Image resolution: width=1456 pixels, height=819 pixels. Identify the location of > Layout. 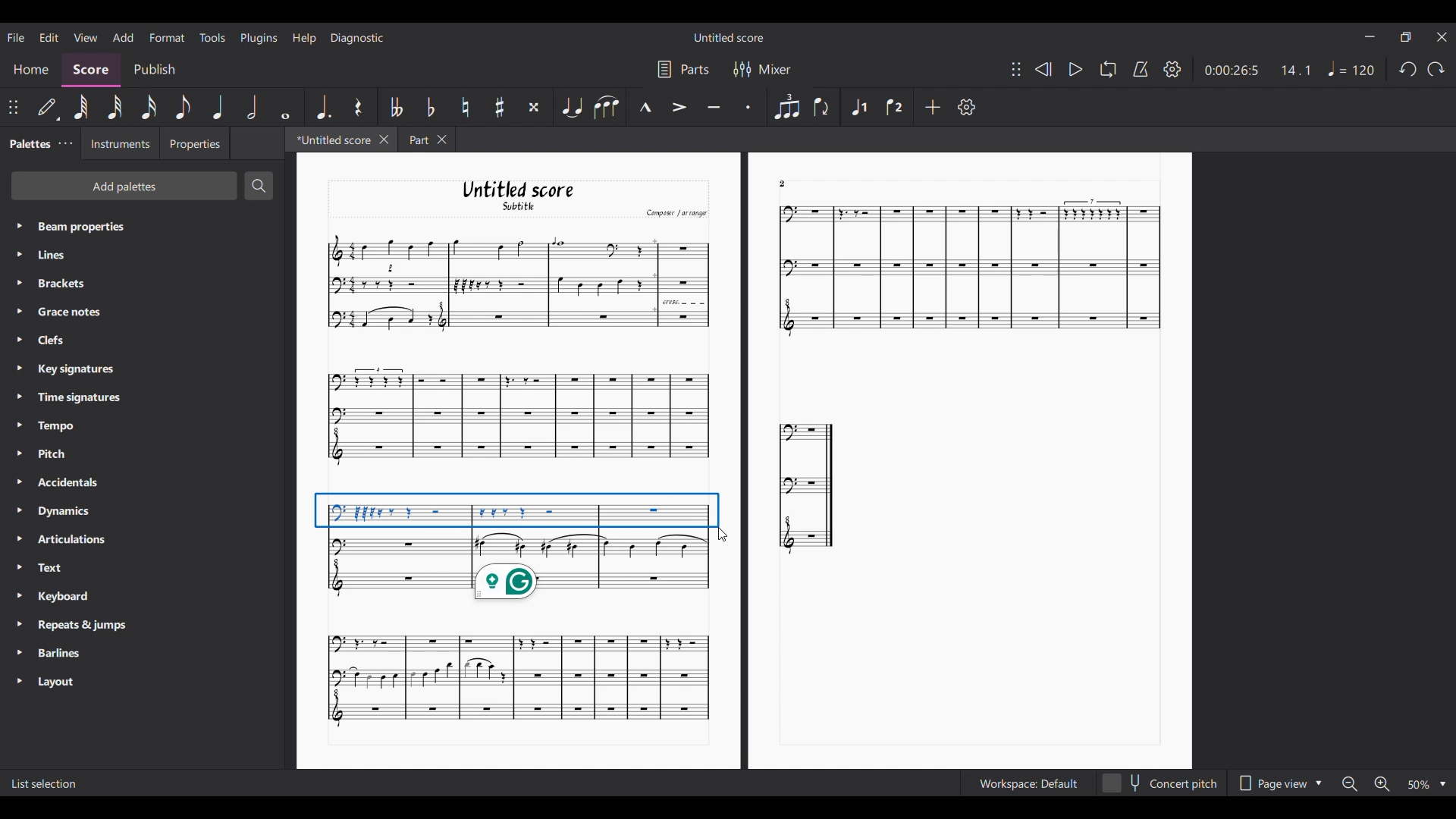
(65, 682).